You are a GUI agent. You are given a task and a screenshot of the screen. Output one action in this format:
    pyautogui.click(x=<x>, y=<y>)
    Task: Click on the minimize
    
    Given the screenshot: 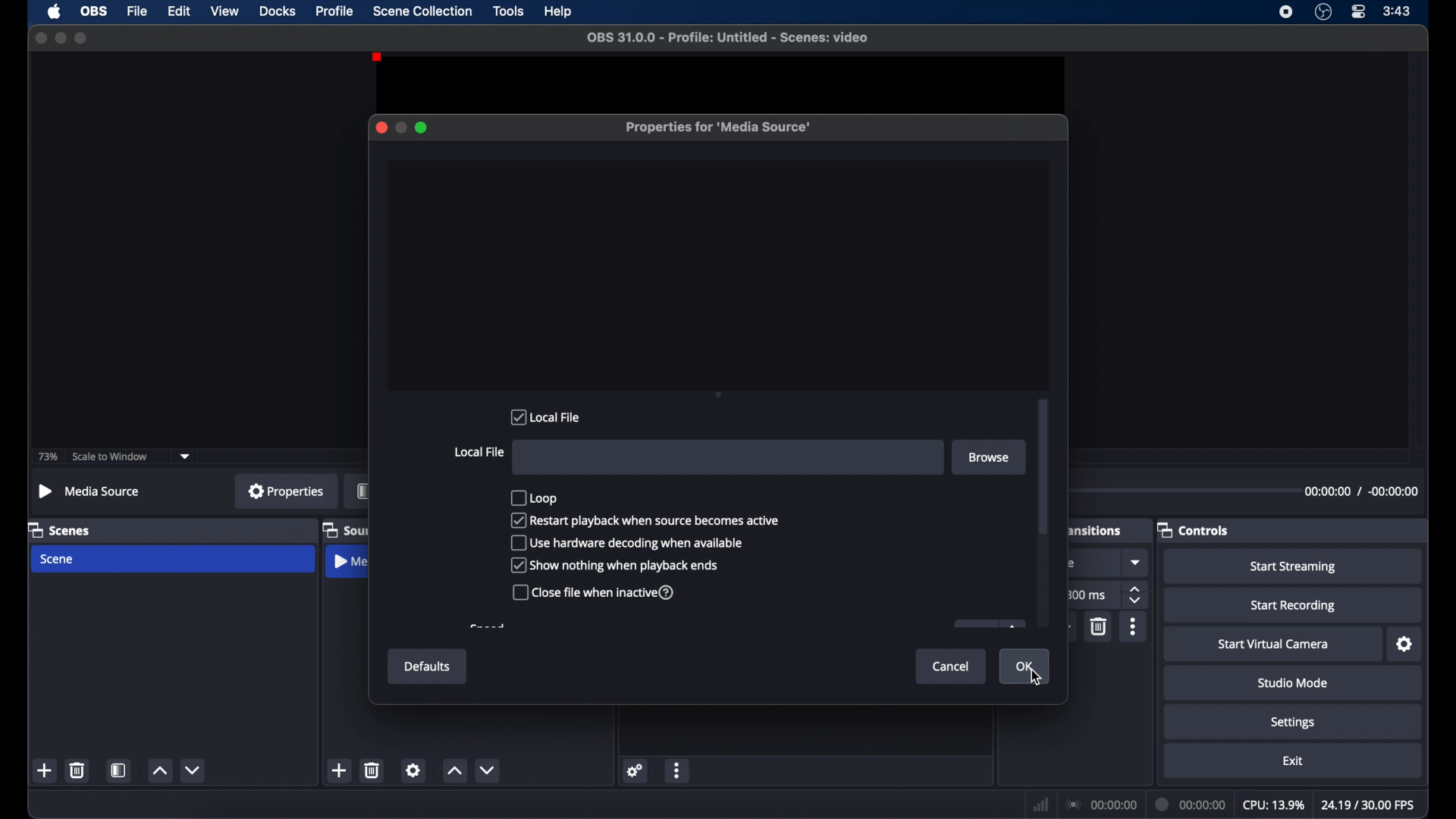 What is the action you would take?
    pyautogui.click(x=400, y=128)
    